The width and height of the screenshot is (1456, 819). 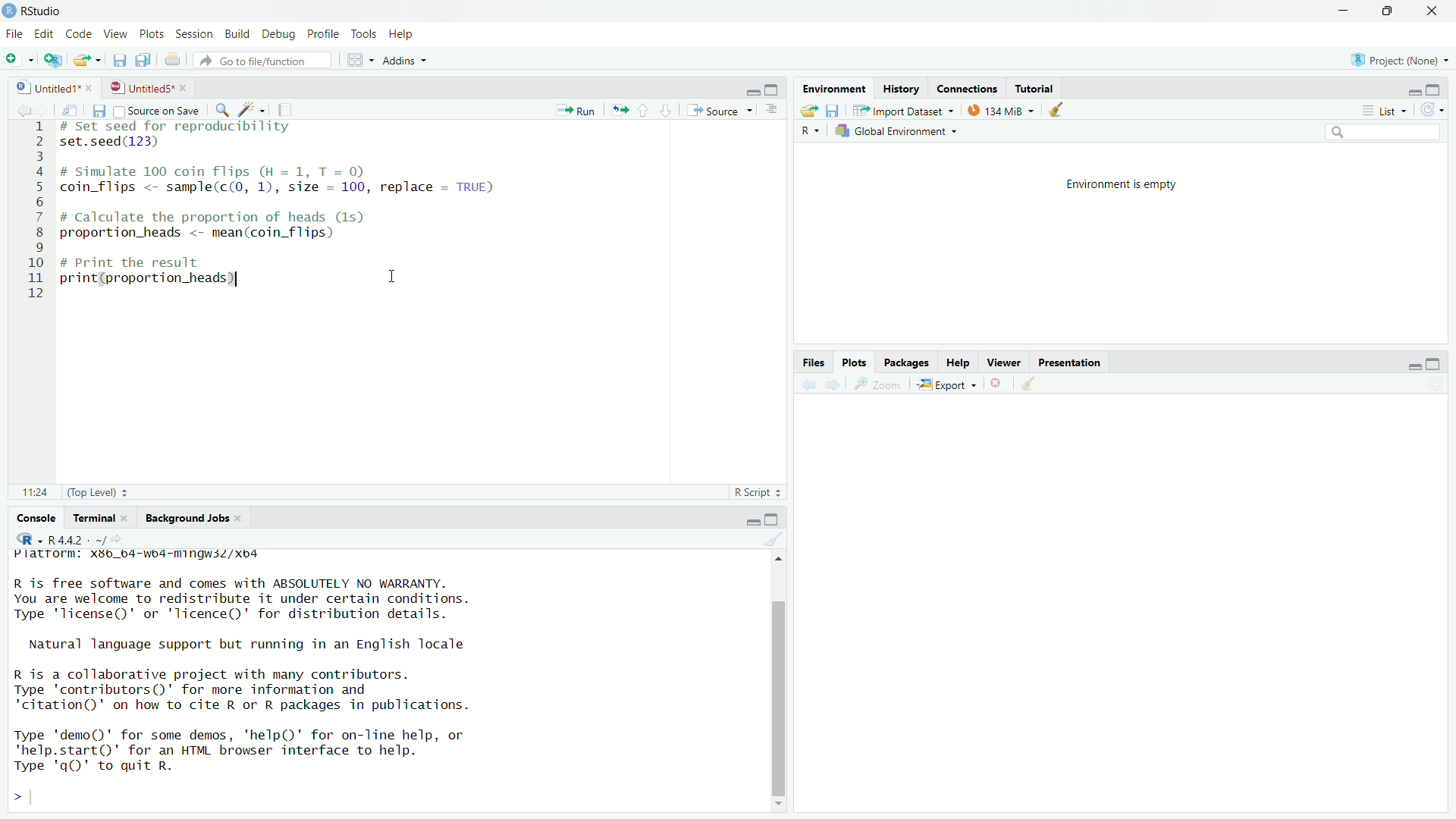 I want to click on search field, so click(x=1384, y=131).